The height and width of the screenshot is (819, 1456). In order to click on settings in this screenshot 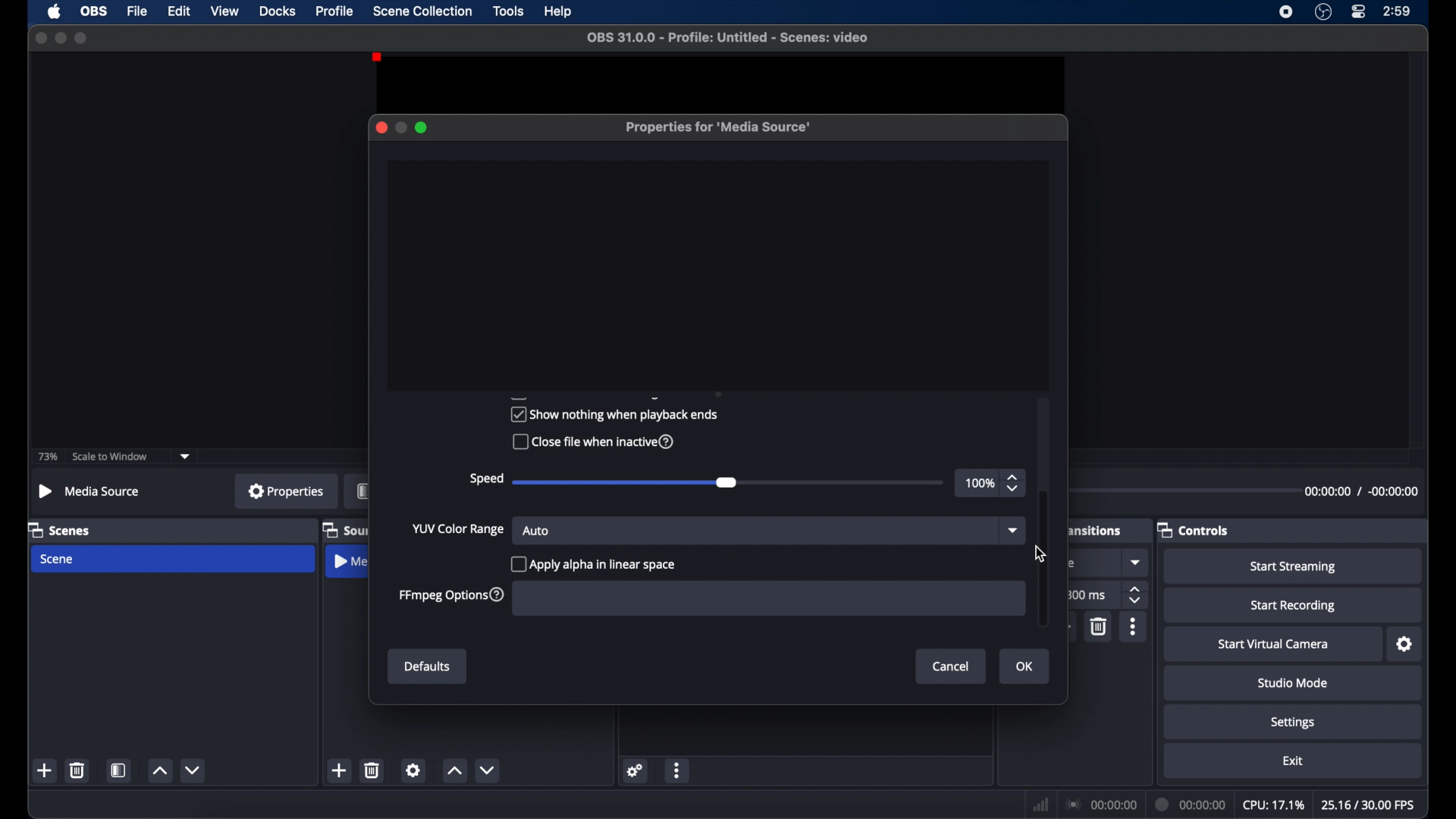, I will do `click(635, 771)`.